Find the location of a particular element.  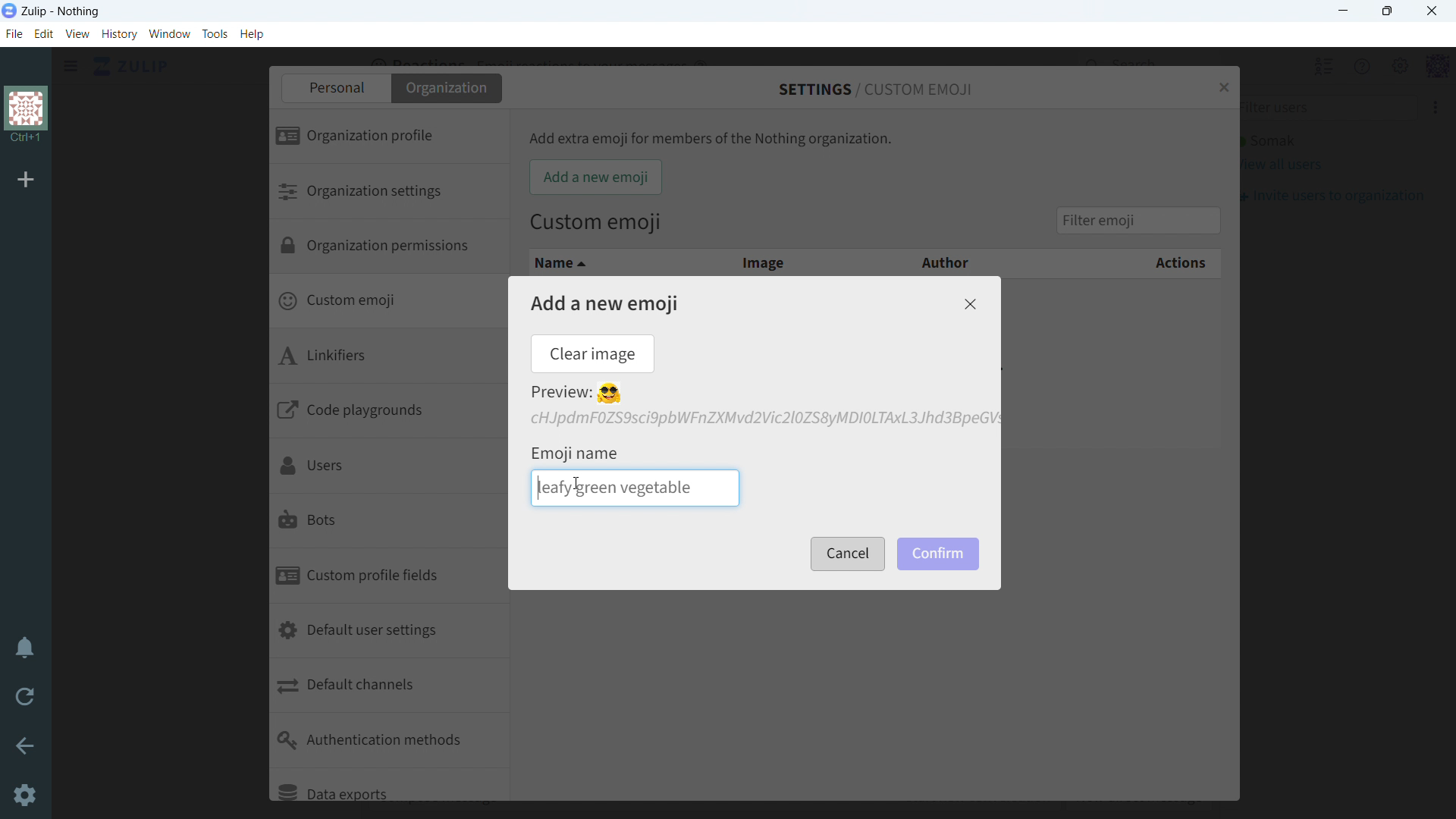

edit is located at coordinates (44, 35).